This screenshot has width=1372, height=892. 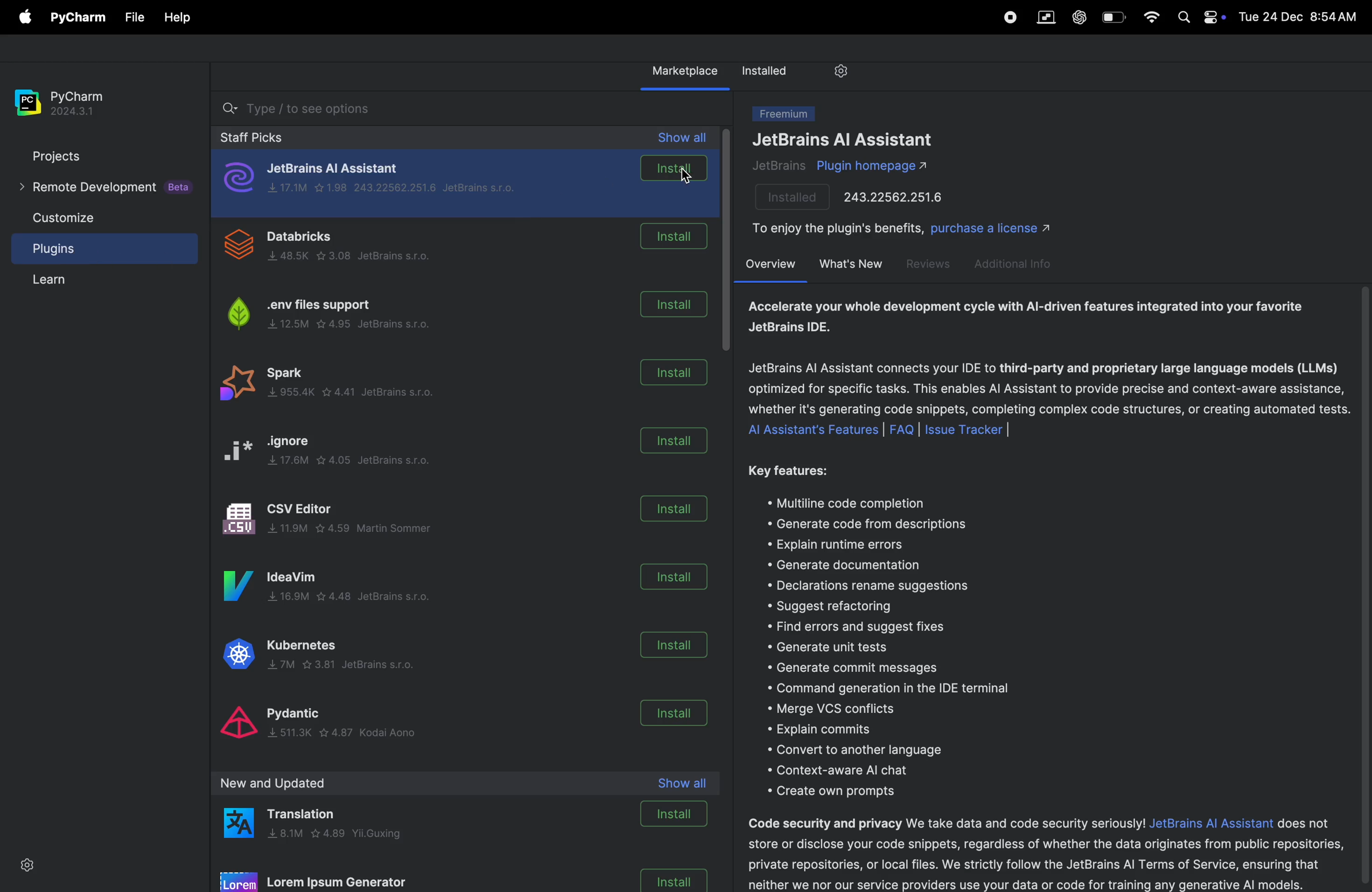 What do you see at coordinates (70, 250) in the screenshot?
I see `plugins` at bounding box center [70, 250].